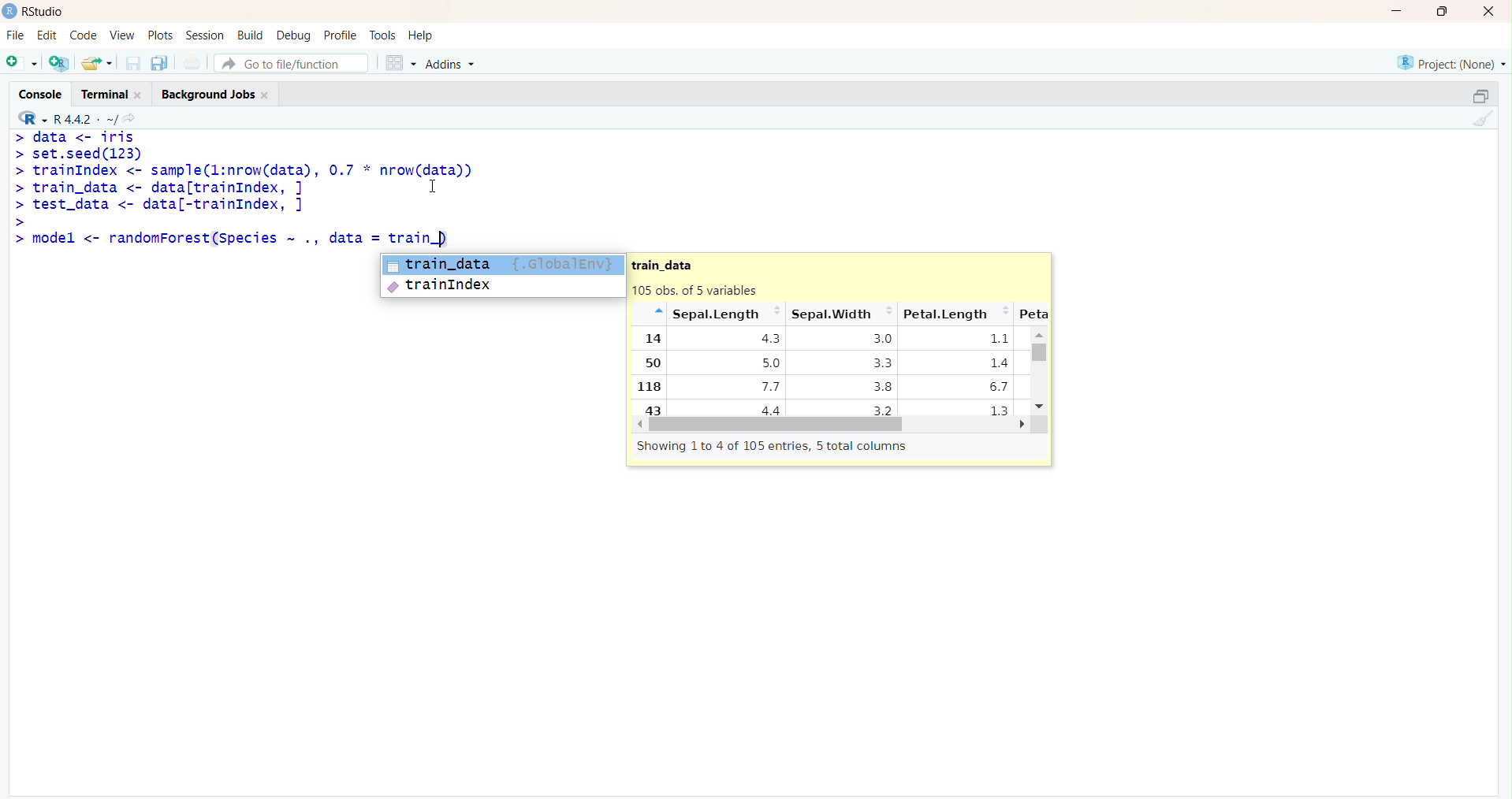 This screenshot has width=1512, height=799. What do you see at coordinates (99, 63) in the screenshot?
I see `Open an existing file (Ctrl + O)` at bounding box center [99, 63].